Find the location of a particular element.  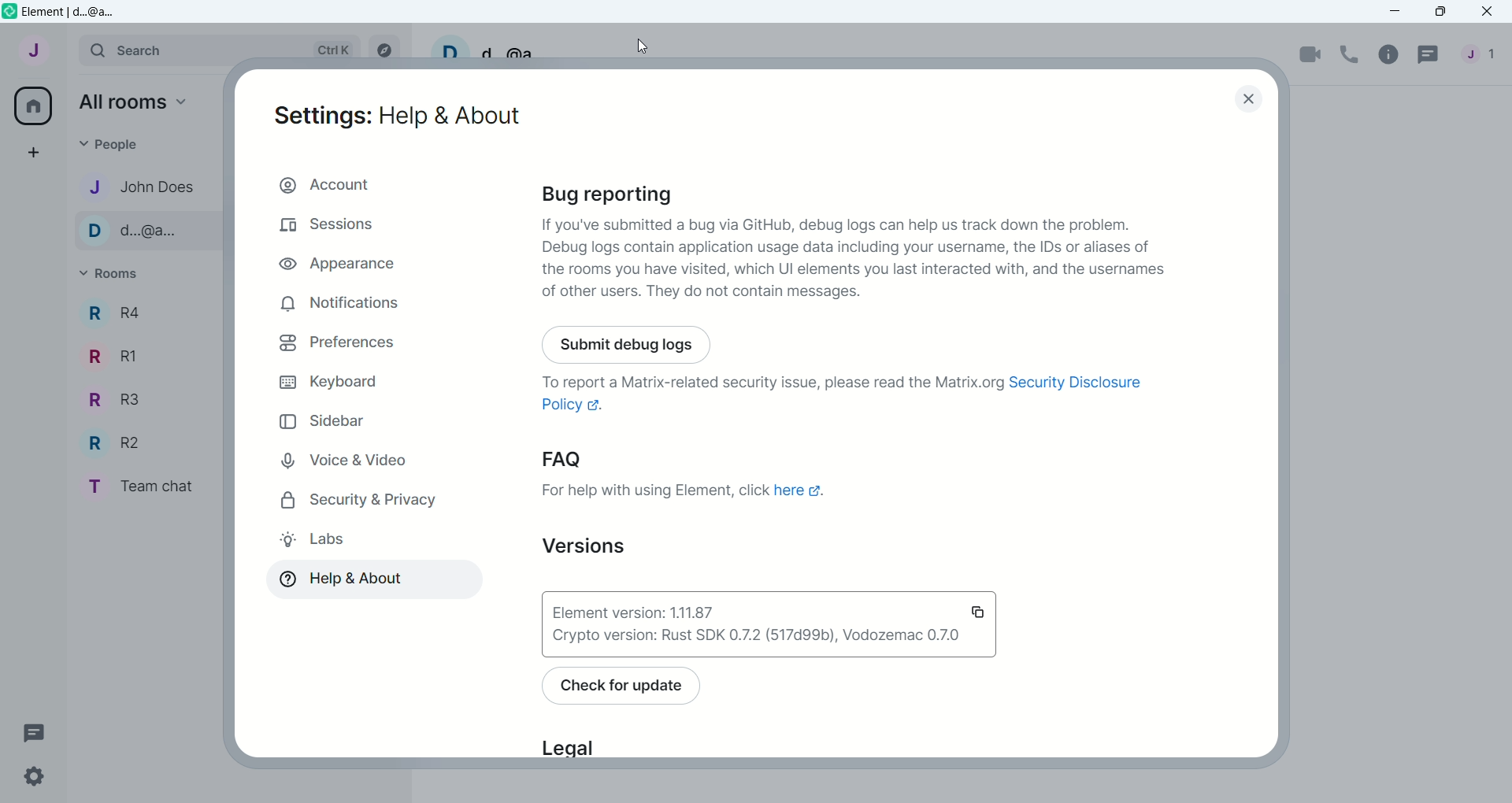

Rooms is located at coordinates (115, 274).